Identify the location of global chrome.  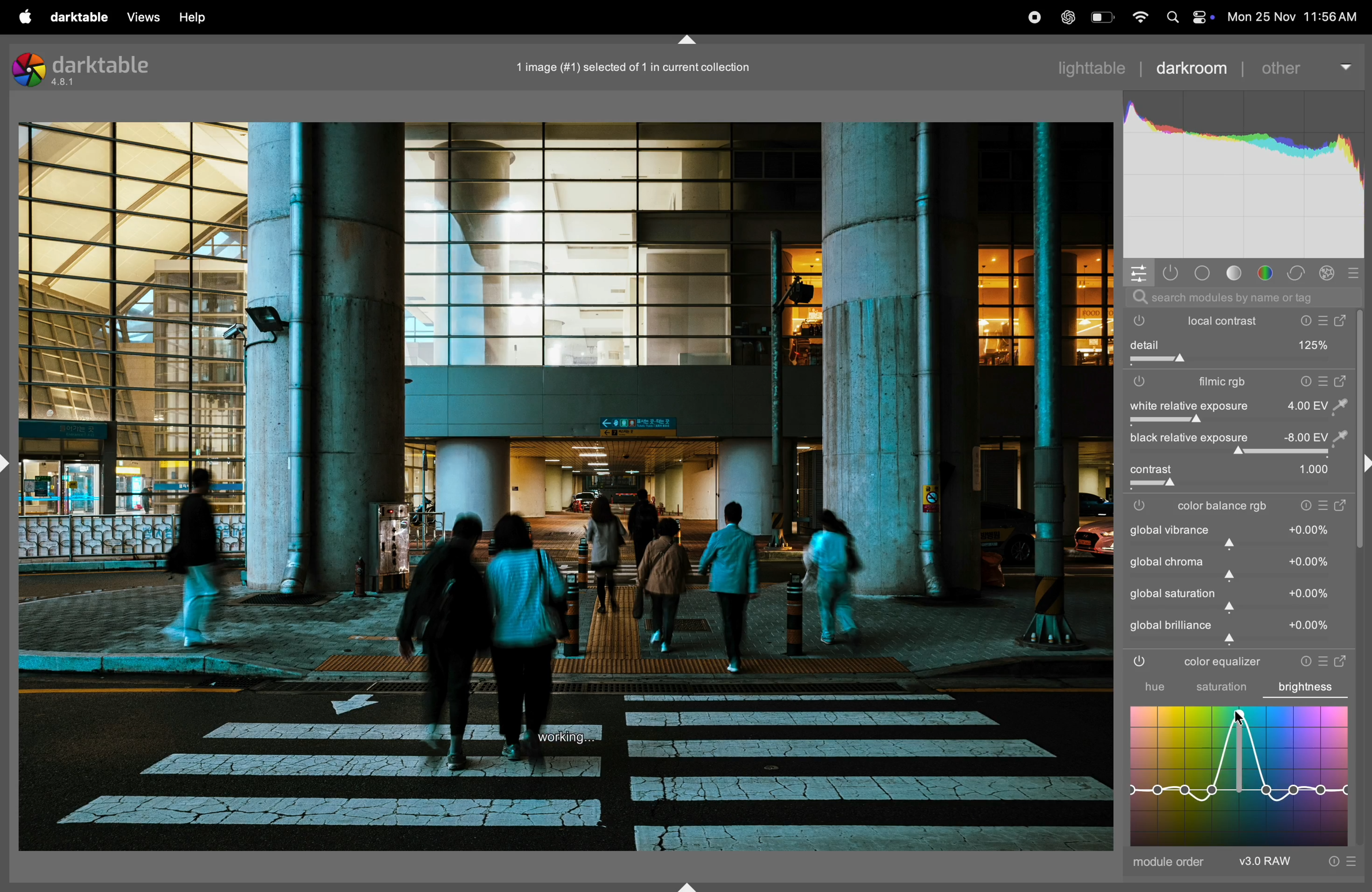
(1167, 562).